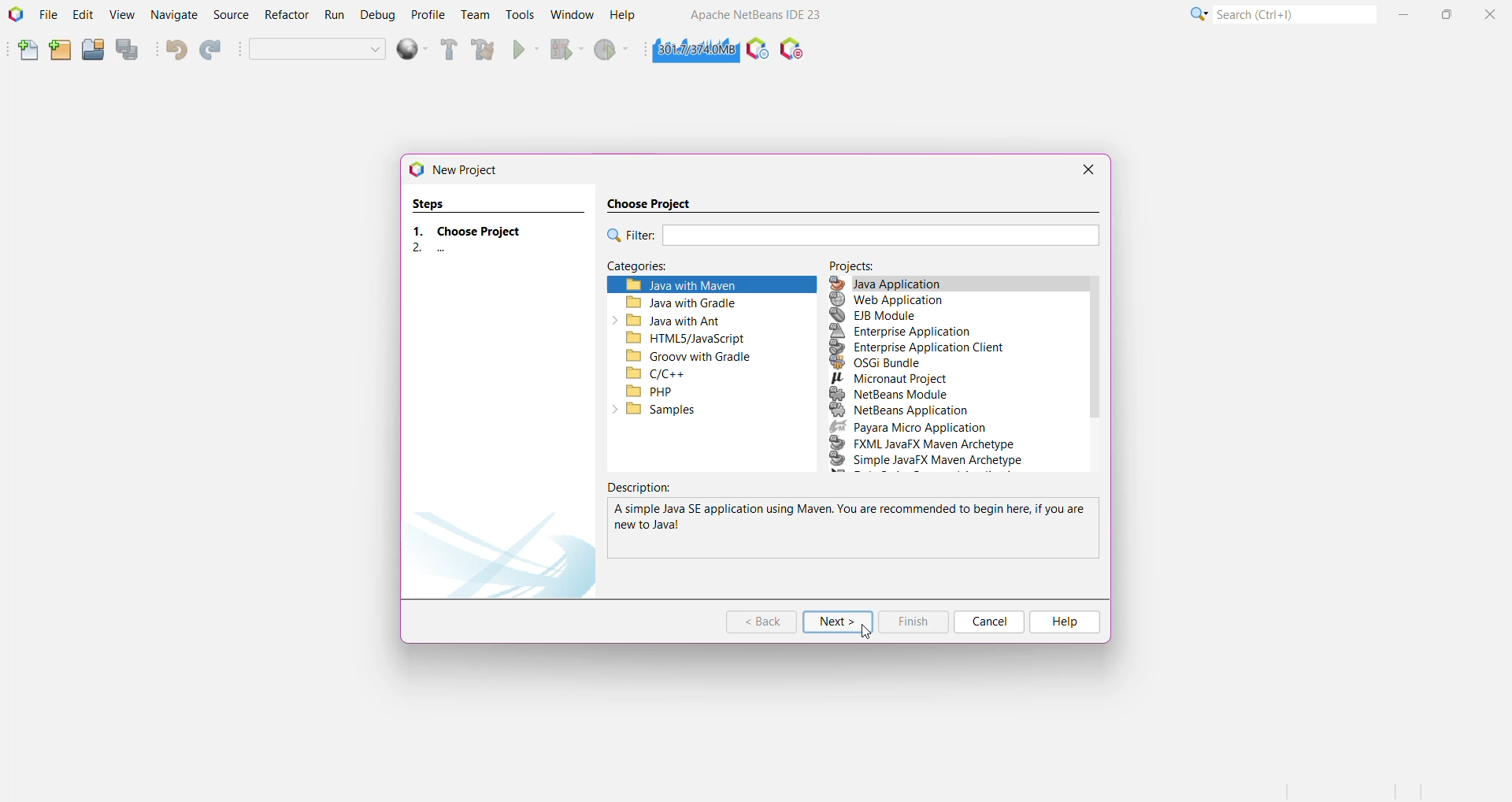 The image size is (1512, 802). I want to click on More Options, so click(1197, 17).